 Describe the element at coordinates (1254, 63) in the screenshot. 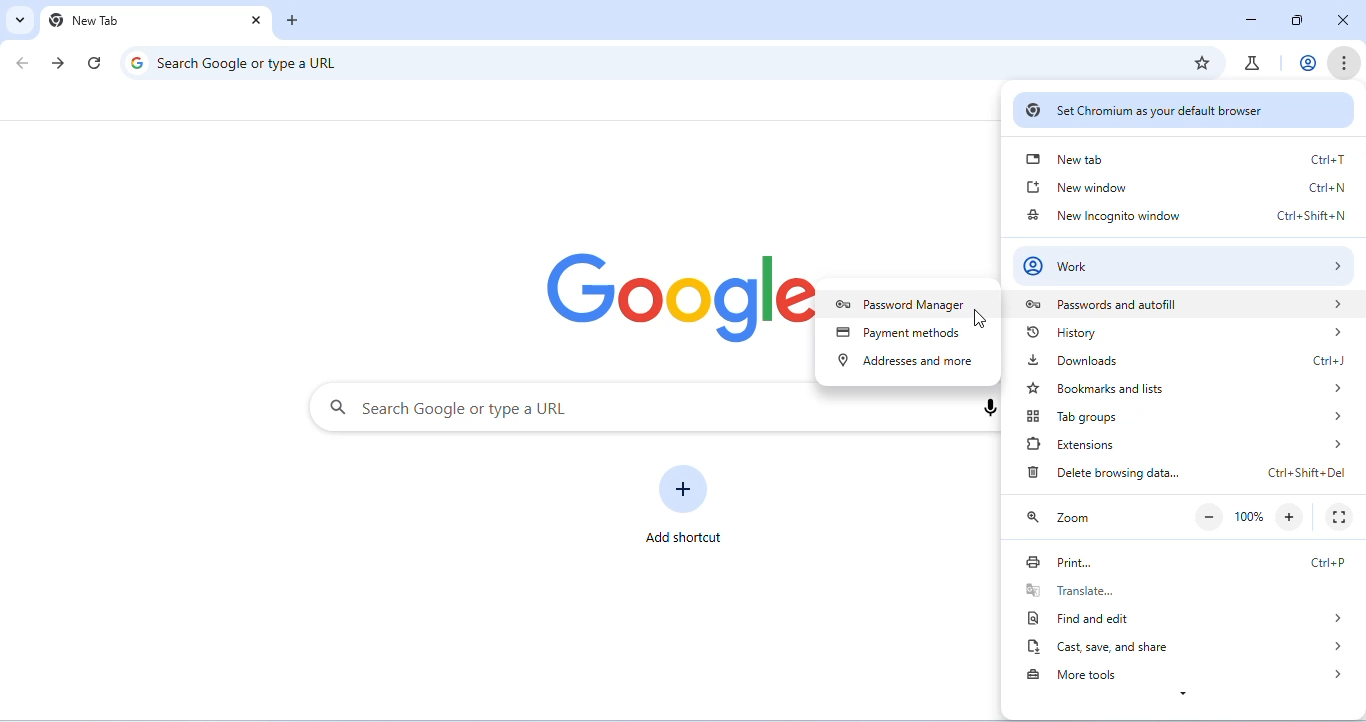

I see `chrome labs` at that location.